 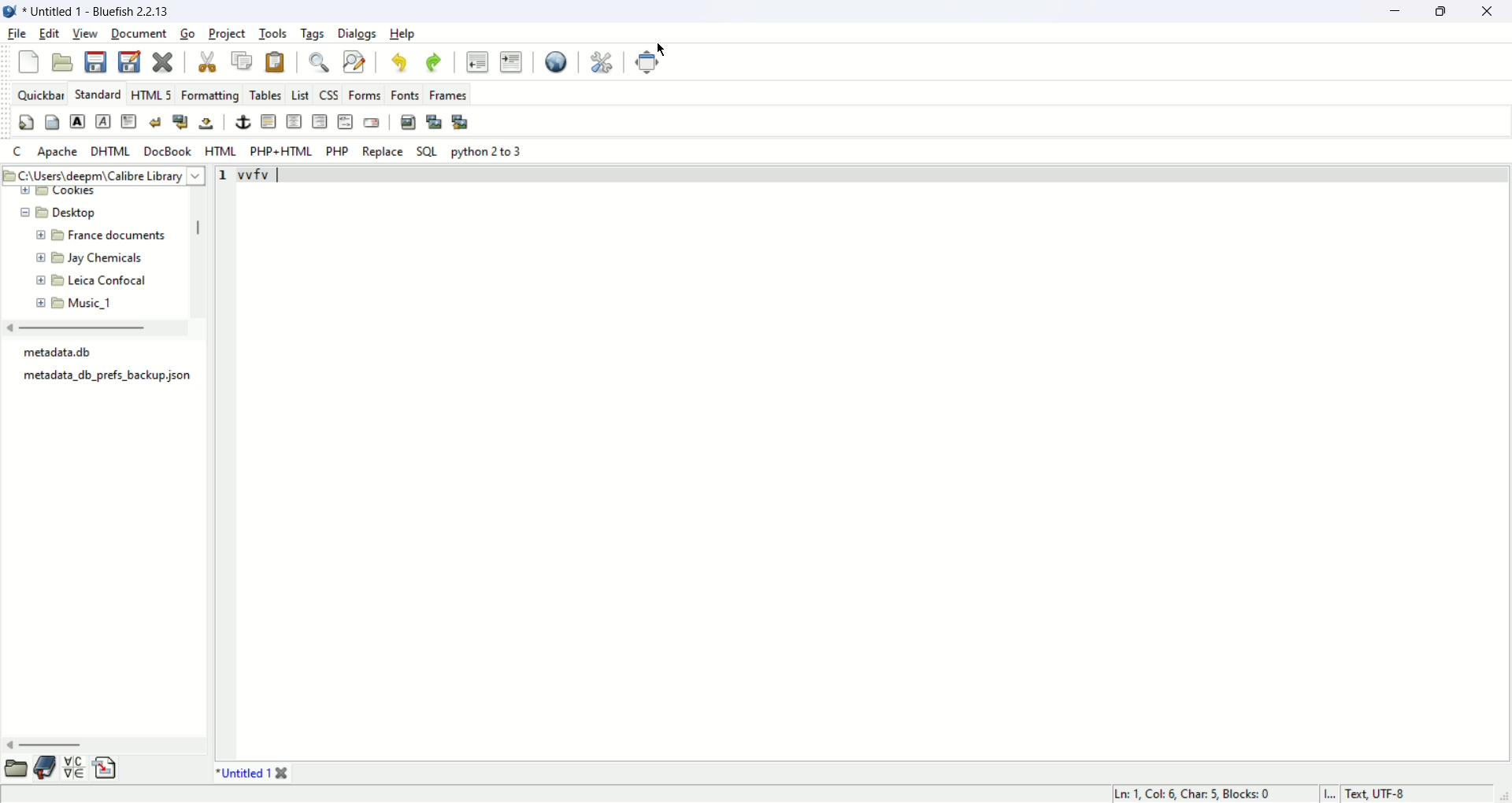 What do you see at coordinates (24, 151) in the screenshot?
I see `C` at bounding box center [24, 151].